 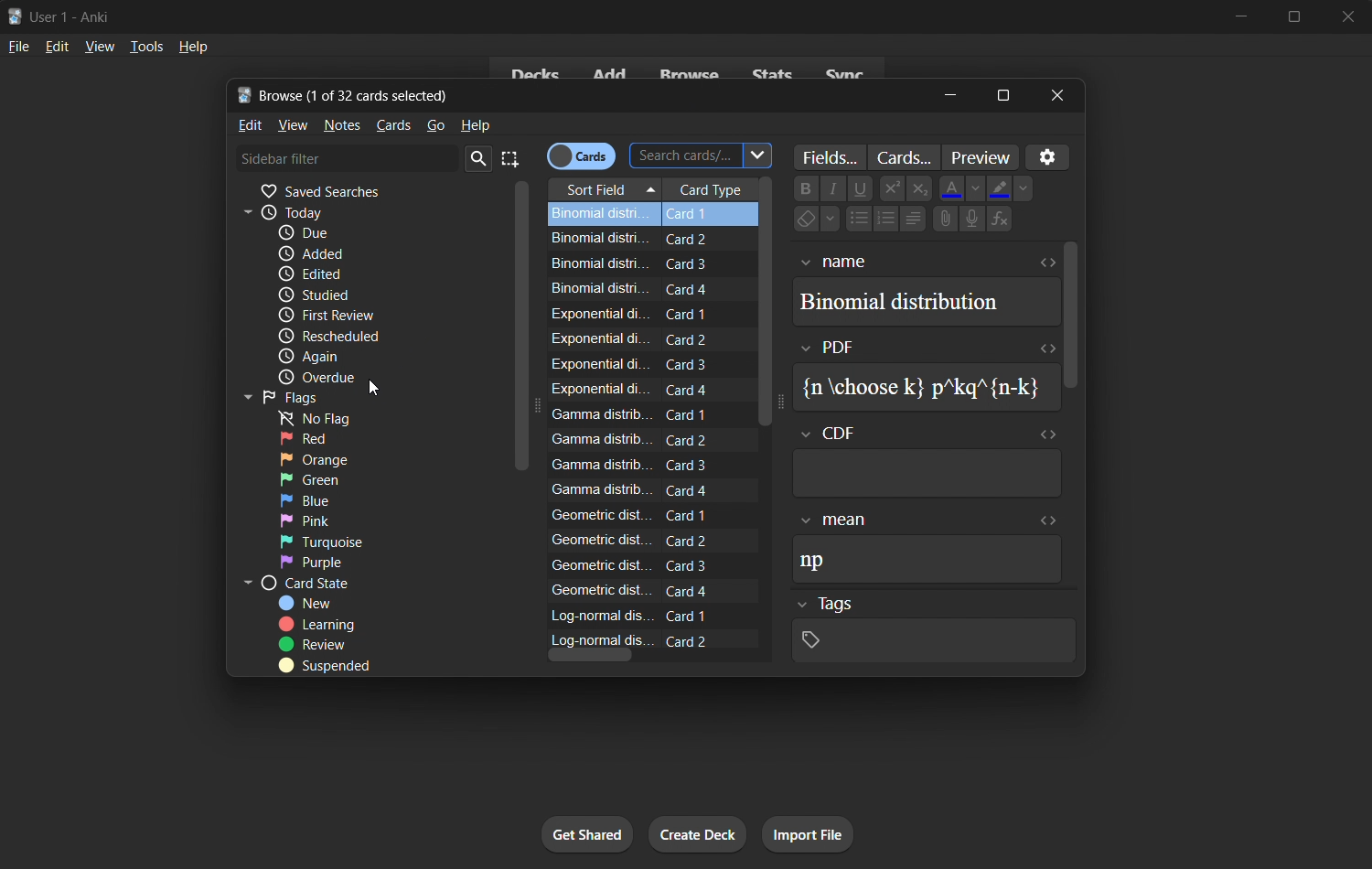 I want to click on Binomial distribution, so click(x=915, y=302).